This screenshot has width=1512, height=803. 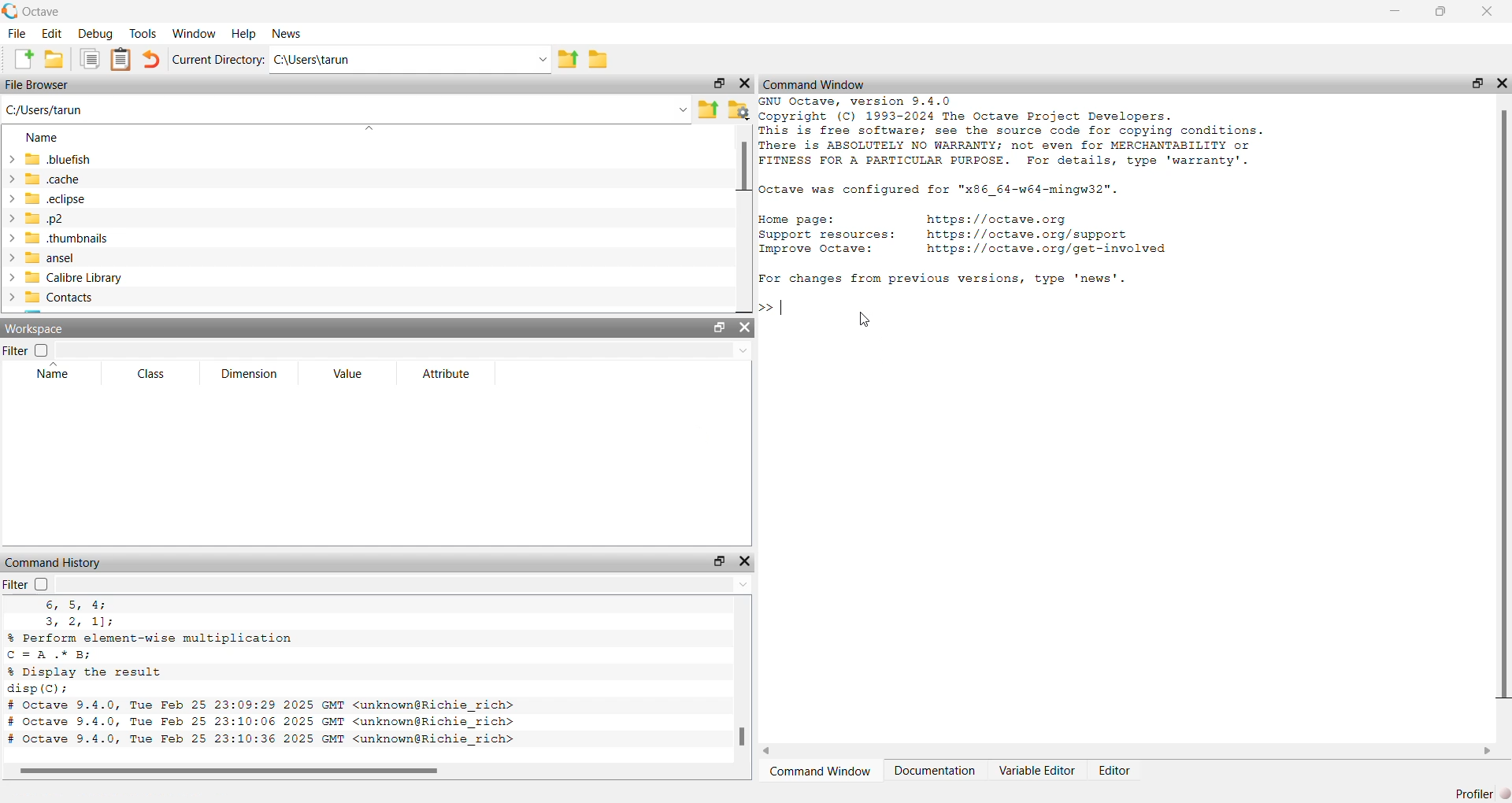 I want to click on eclipse, so click(x=48, y=199).